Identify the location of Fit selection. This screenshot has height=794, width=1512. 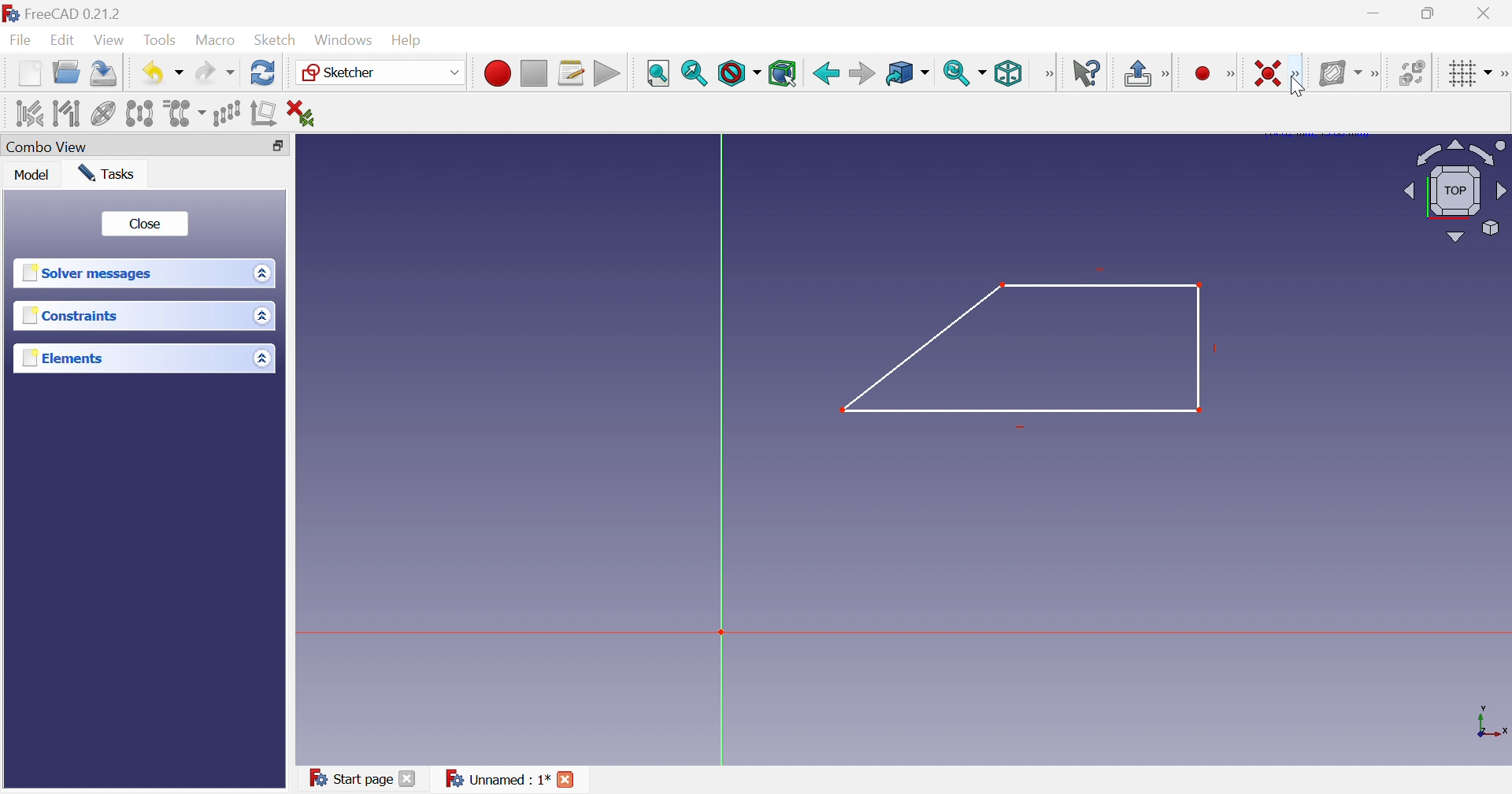
(695, 75).